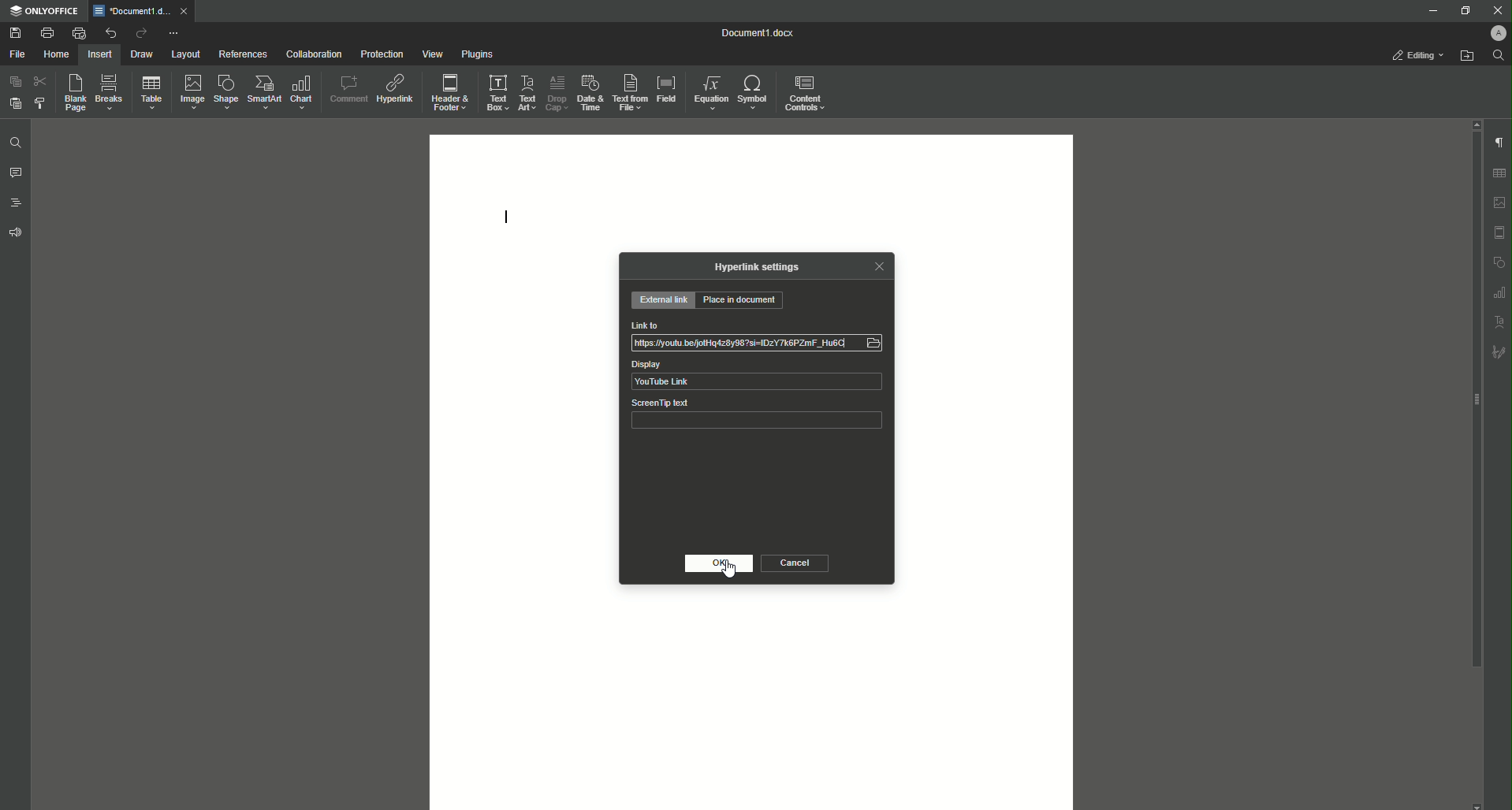 The image size is (1512, 810). I want to click on ScreenTip text, so click(661, 403).